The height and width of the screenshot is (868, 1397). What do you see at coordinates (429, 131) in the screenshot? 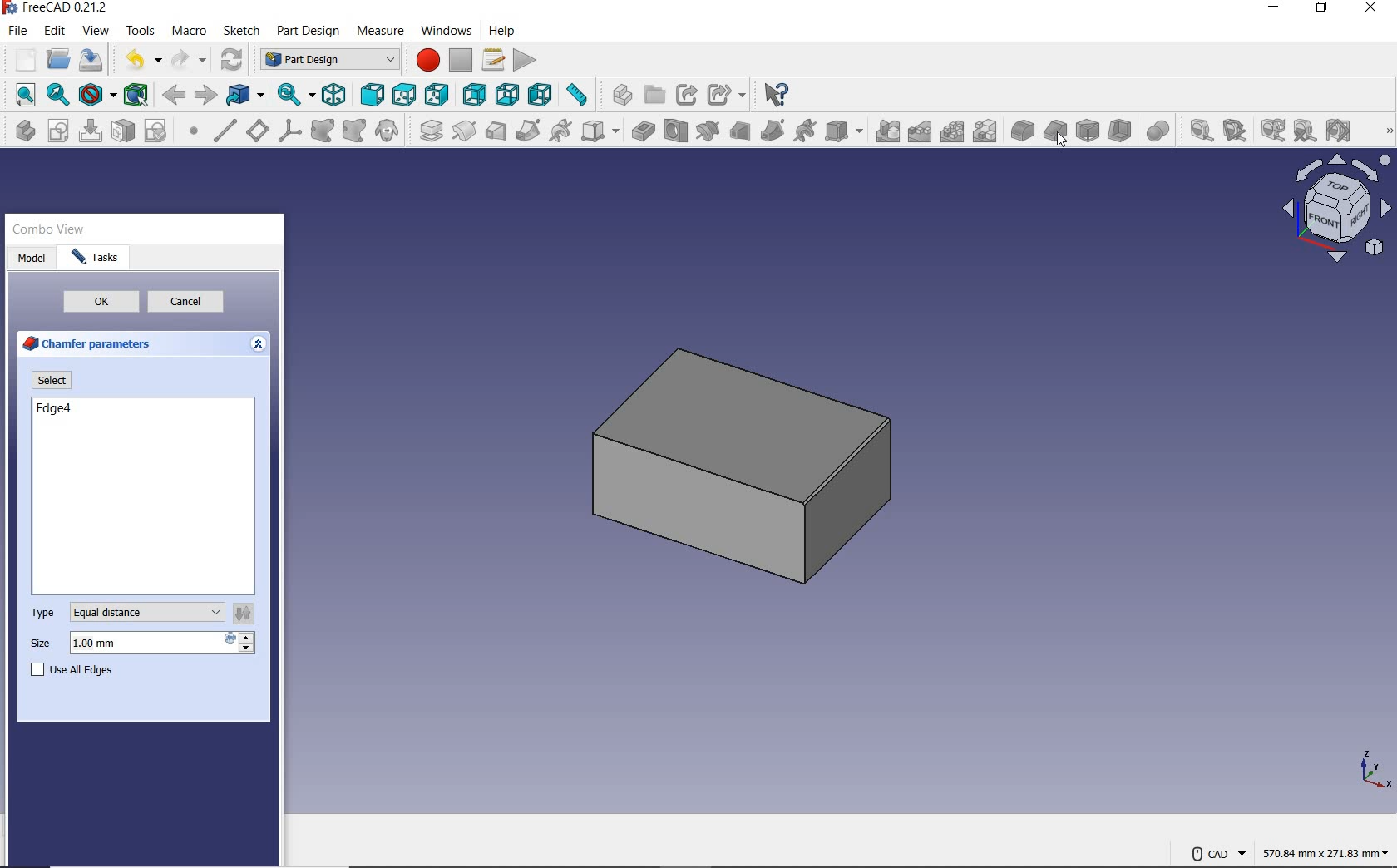
I see `pad` at bounding box center [429, 131].